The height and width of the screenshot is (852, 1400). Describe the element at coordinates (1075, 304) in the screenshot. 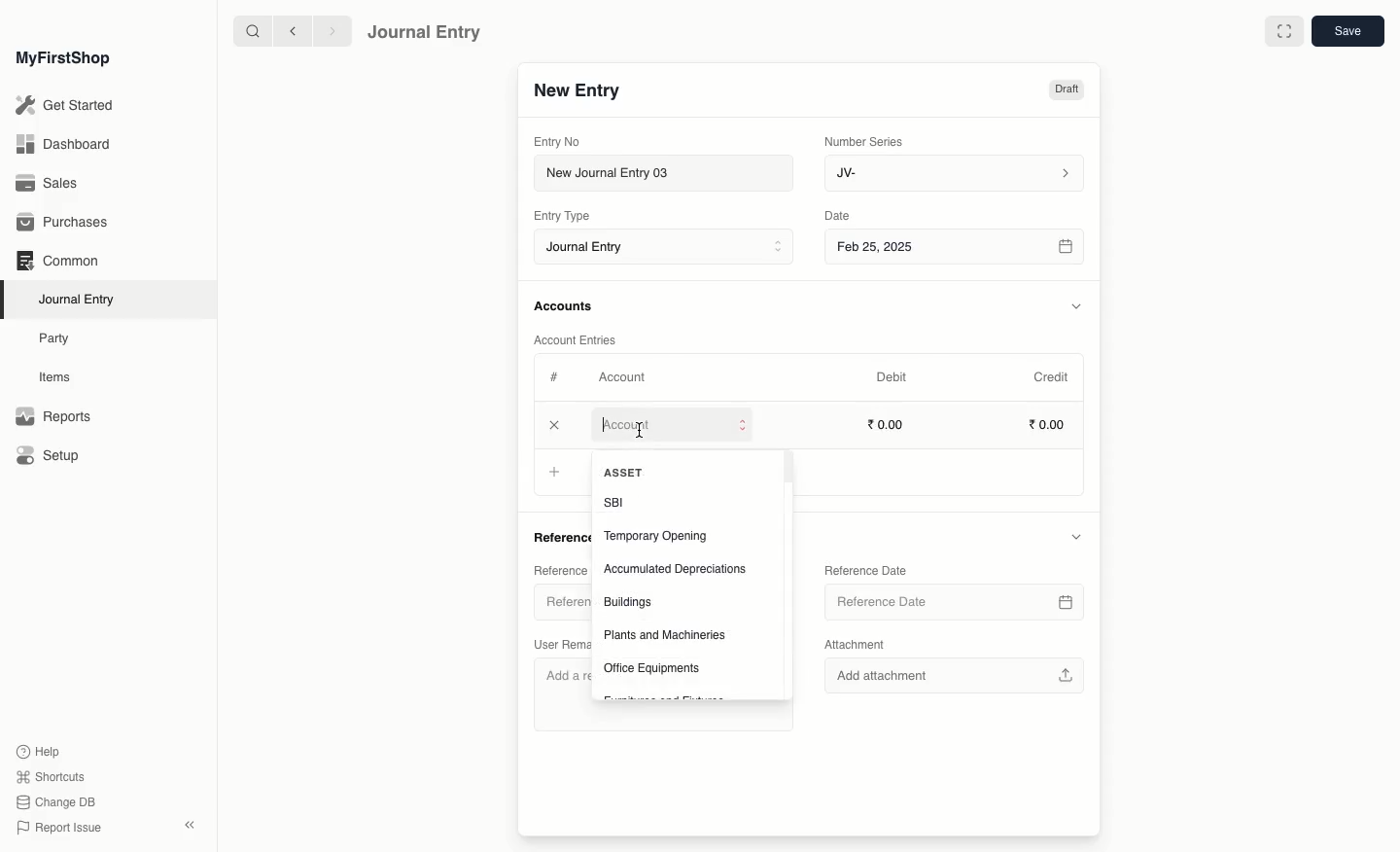

I see `Hide` at that location.